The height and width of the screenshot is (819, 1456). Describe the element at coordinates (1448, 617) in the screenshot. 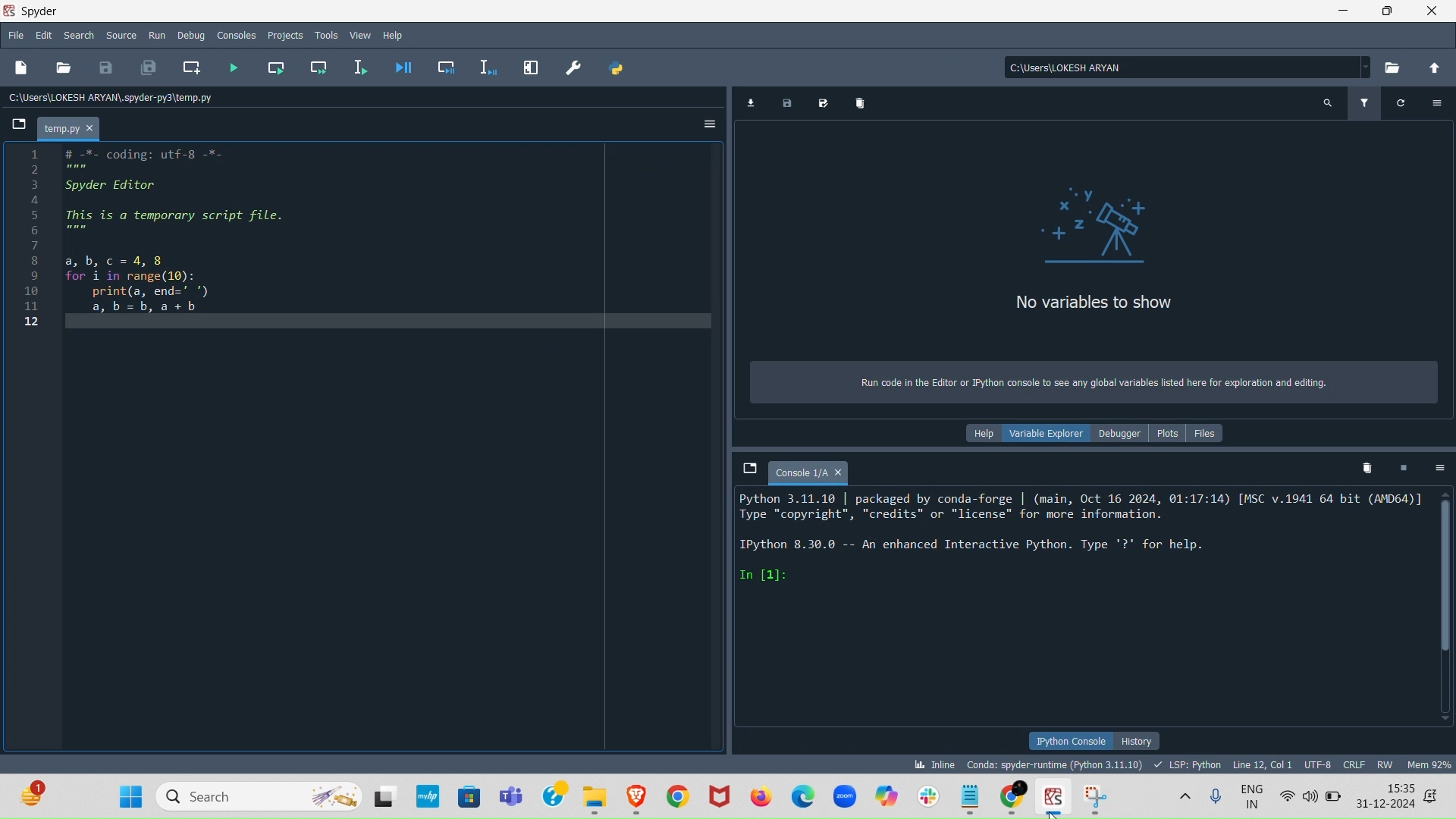

I see `Scrollbar` at that location.